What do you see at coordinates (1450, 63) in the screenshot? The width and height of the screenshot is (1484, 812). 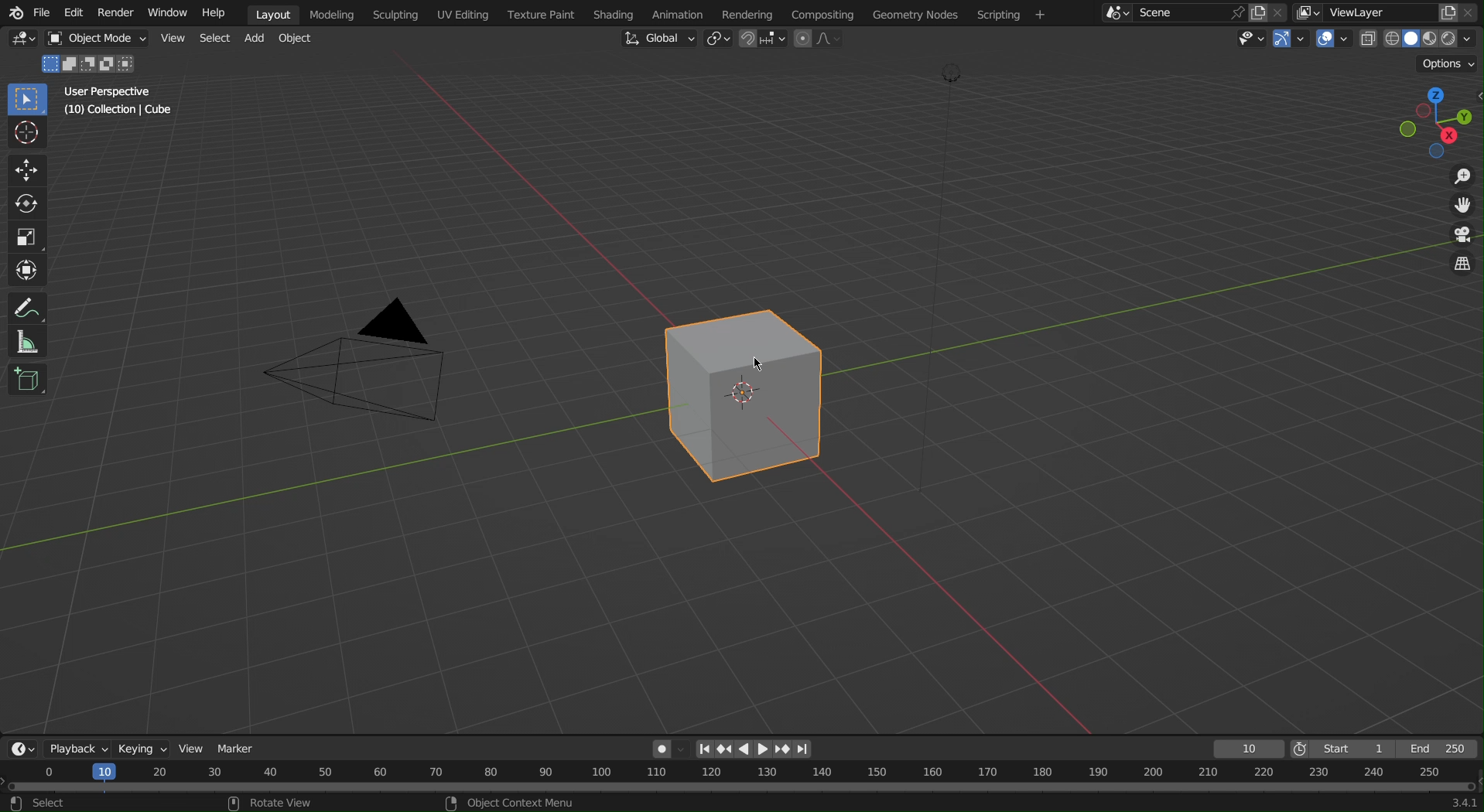 I see `Options` at bounding box center [1450, 63].